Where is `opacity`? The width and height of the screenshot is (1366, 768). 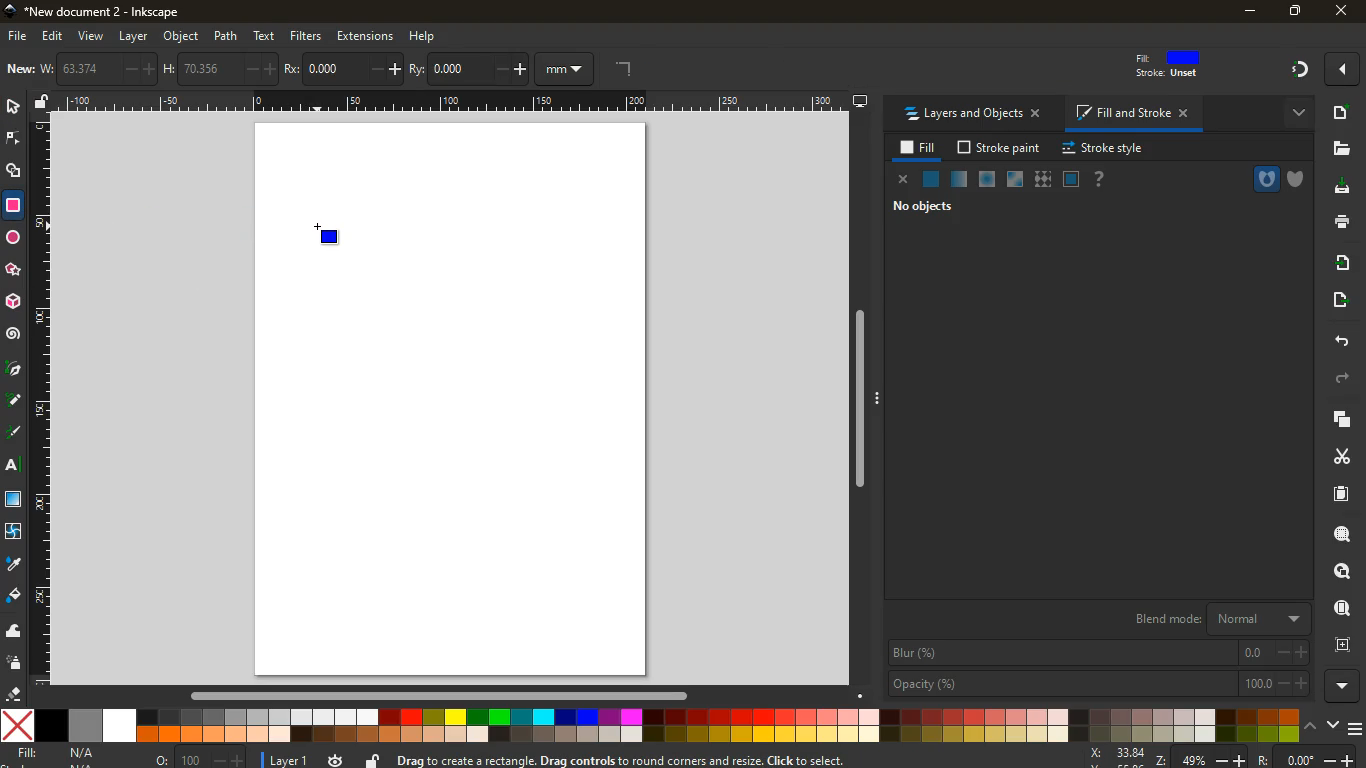 opacity is located at coordinates (959, 178).